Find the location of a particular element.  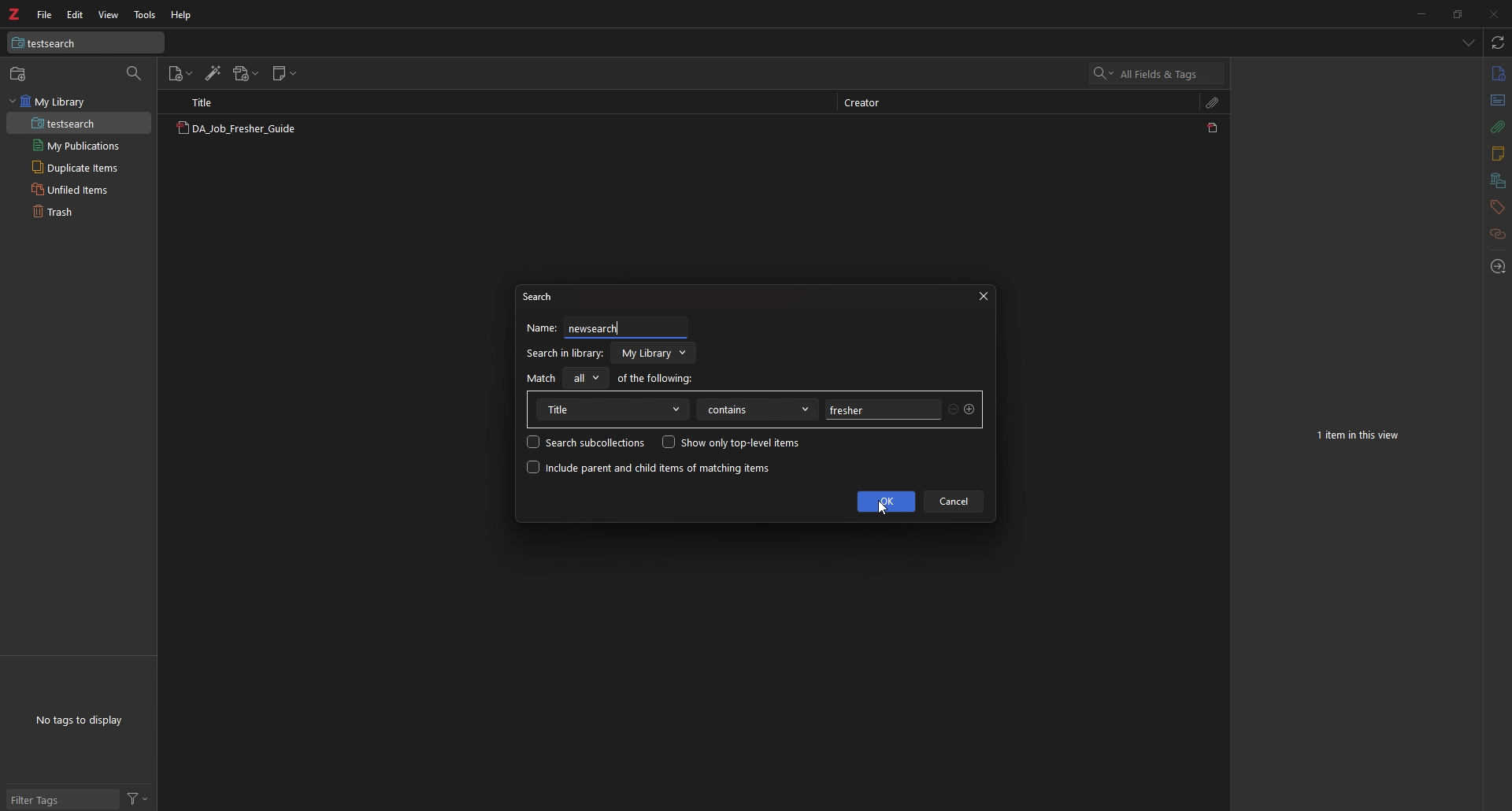

new item is located at coordinates (181, 74).